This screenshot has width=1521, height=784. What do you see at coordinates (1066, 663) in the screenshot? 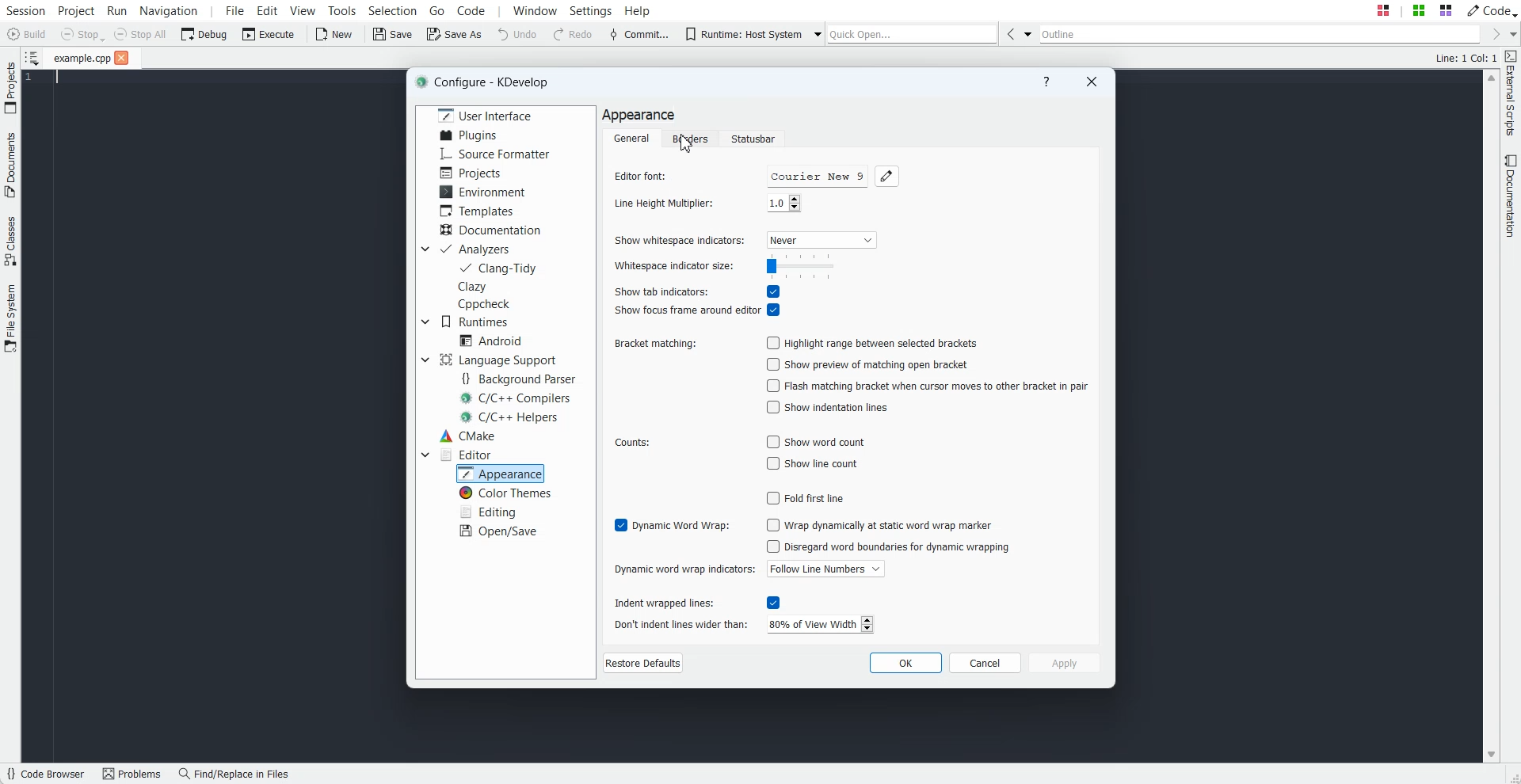
I see `Apply` at bounding box center [1066, 663].